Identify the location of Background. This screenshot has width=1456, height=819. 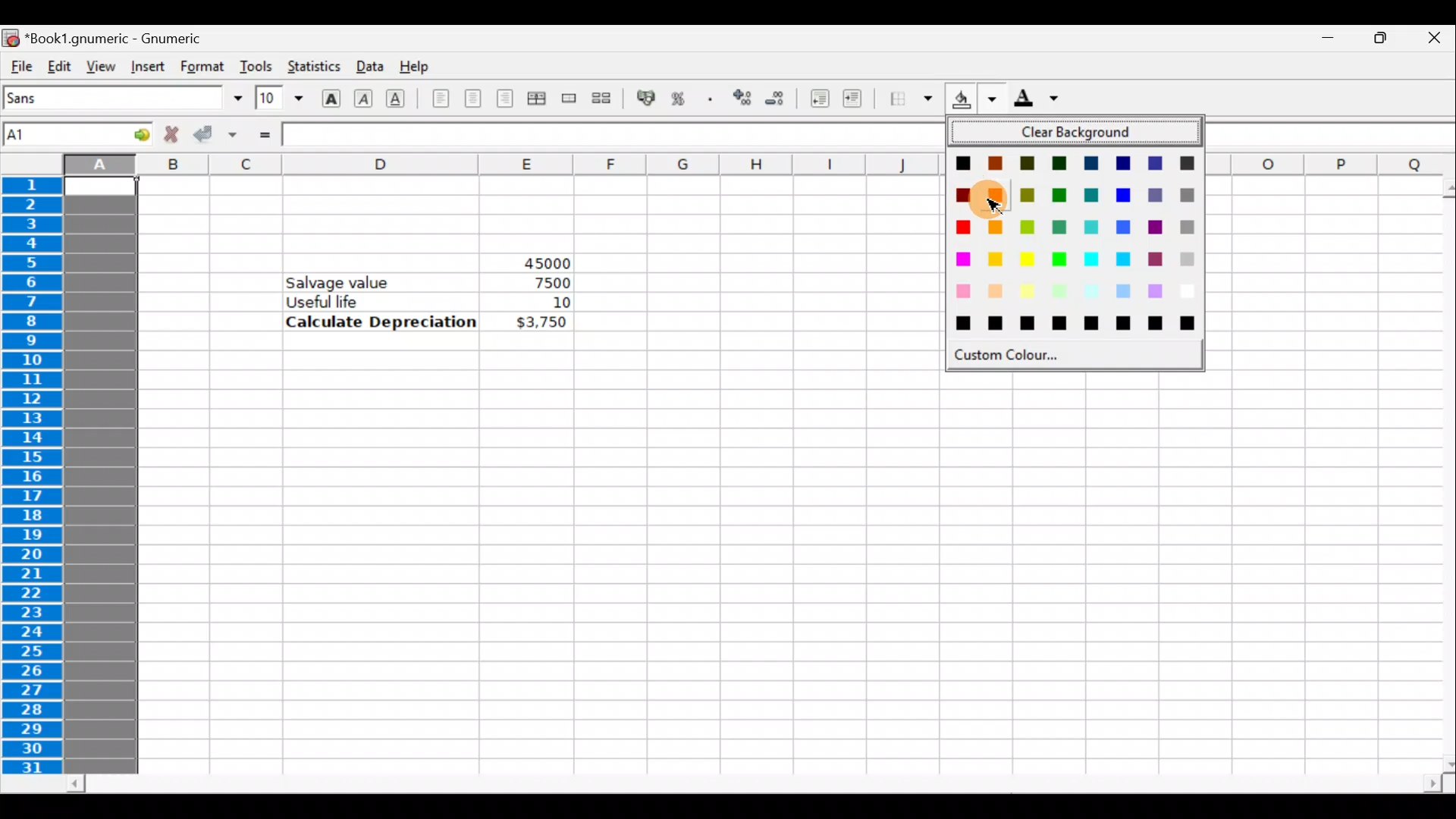
(974, 99).